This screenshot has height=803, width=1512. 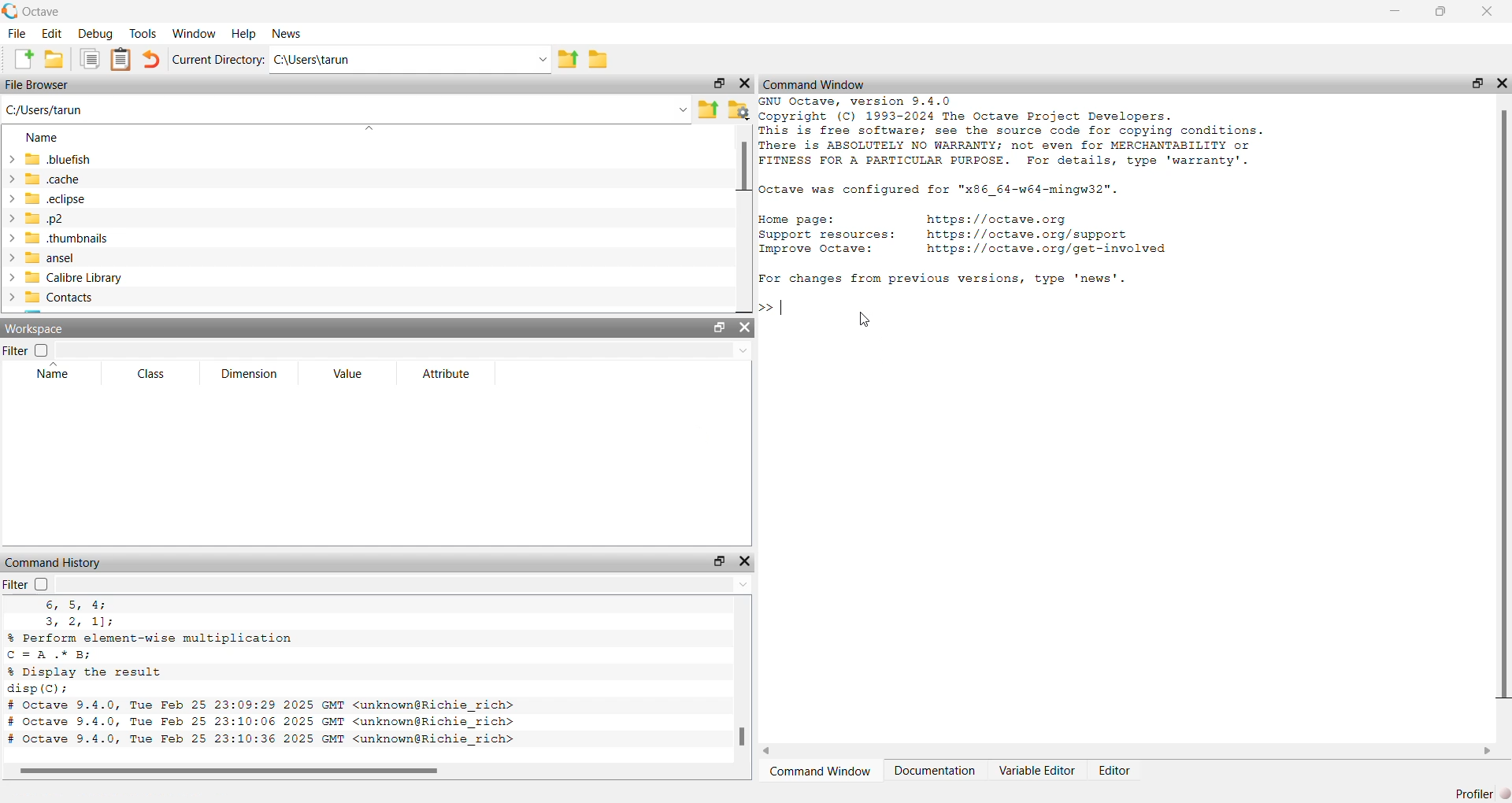 I want to click on Help, so click(x=244, y=34).